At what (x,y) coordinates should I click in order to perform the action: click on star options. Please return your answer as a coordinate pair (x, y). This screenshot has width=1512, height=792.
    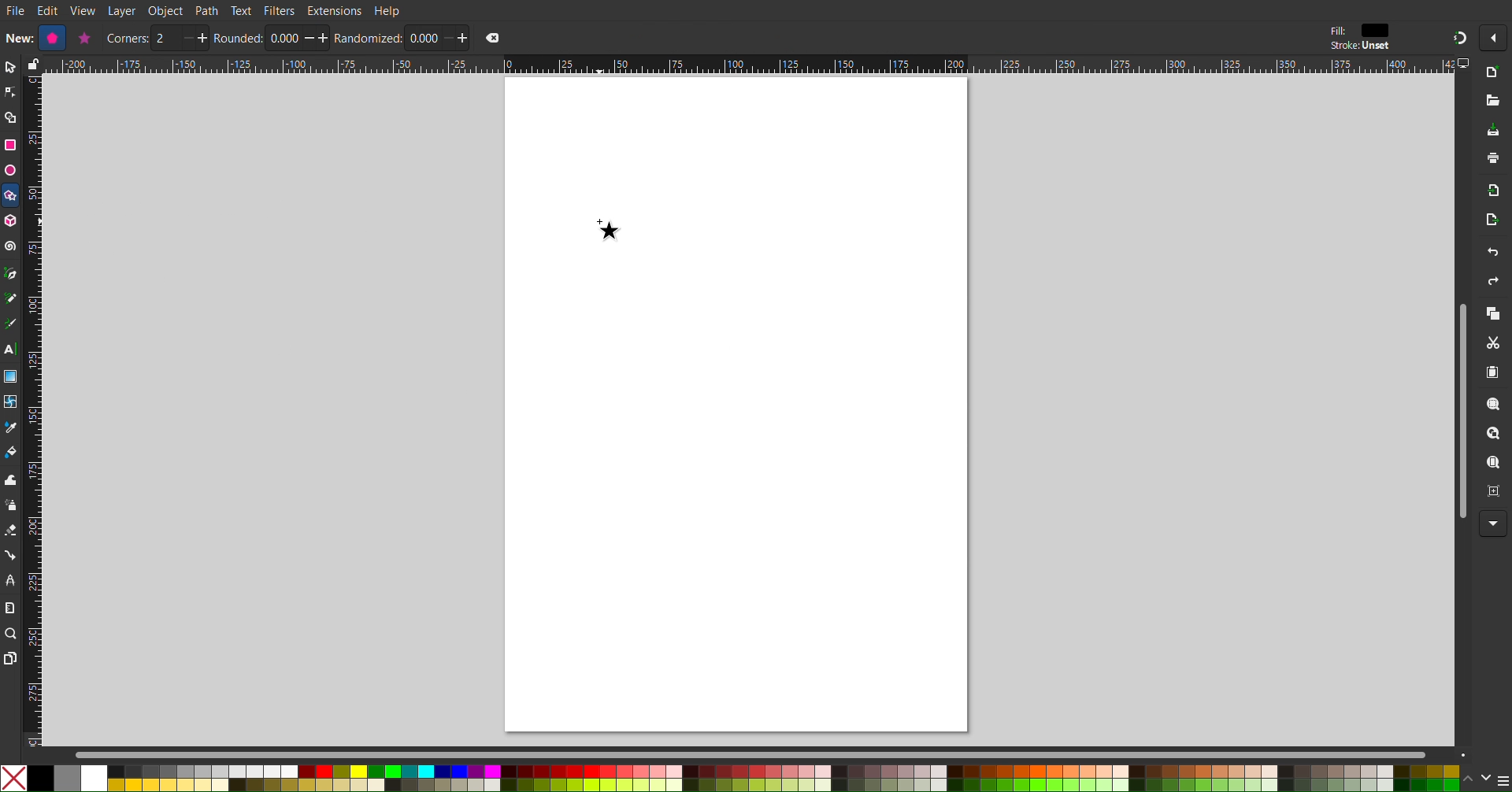
    Looking at the image, I should click on (83, 38).